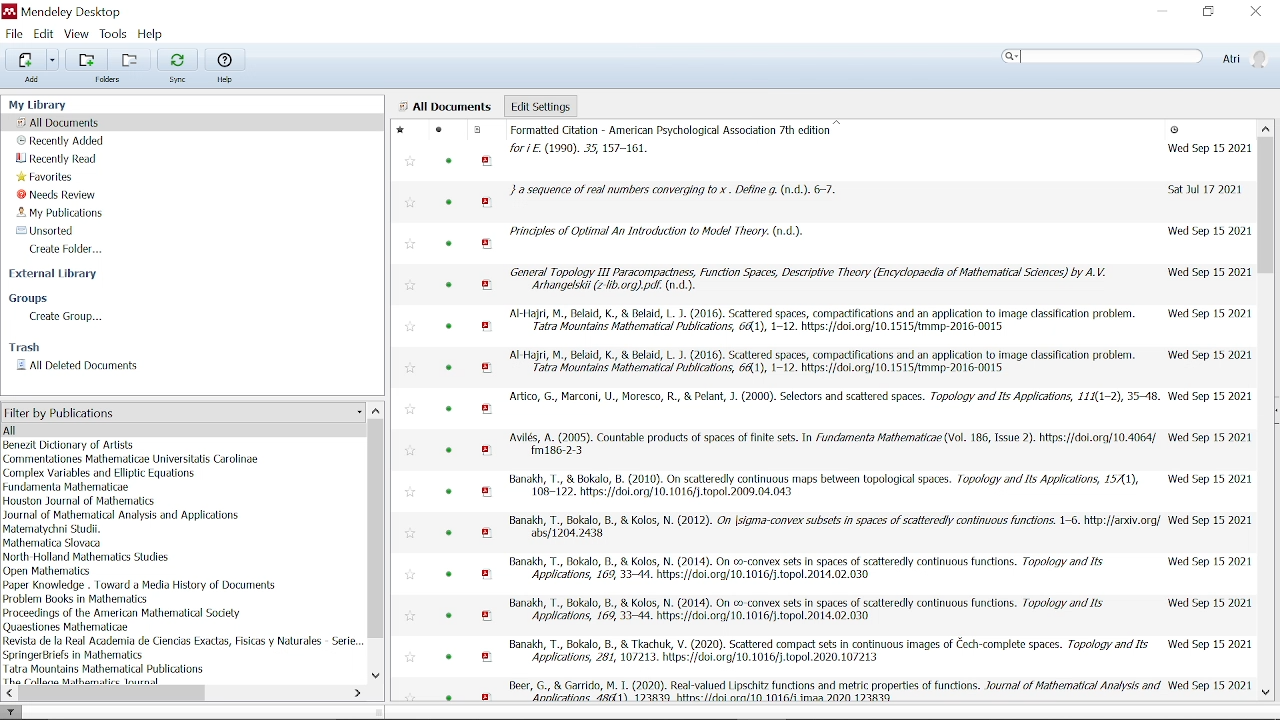 Image resolution: width=1280 pixels, height=720 pixels. I want to click on Profile, so click(1245, 58).